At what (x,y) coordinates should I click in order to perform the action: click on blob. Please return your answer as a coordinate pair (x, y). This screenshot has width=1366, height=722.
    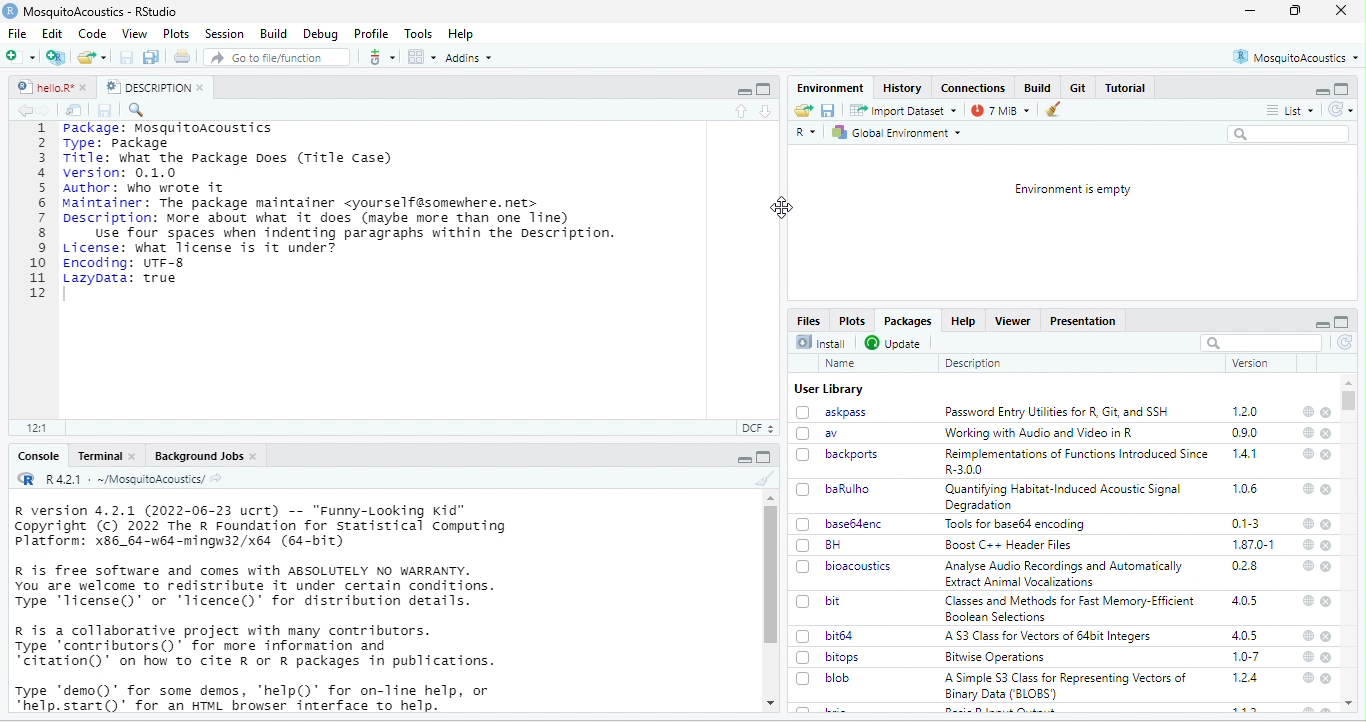
    Looking at the image, I should click on (827, 678).